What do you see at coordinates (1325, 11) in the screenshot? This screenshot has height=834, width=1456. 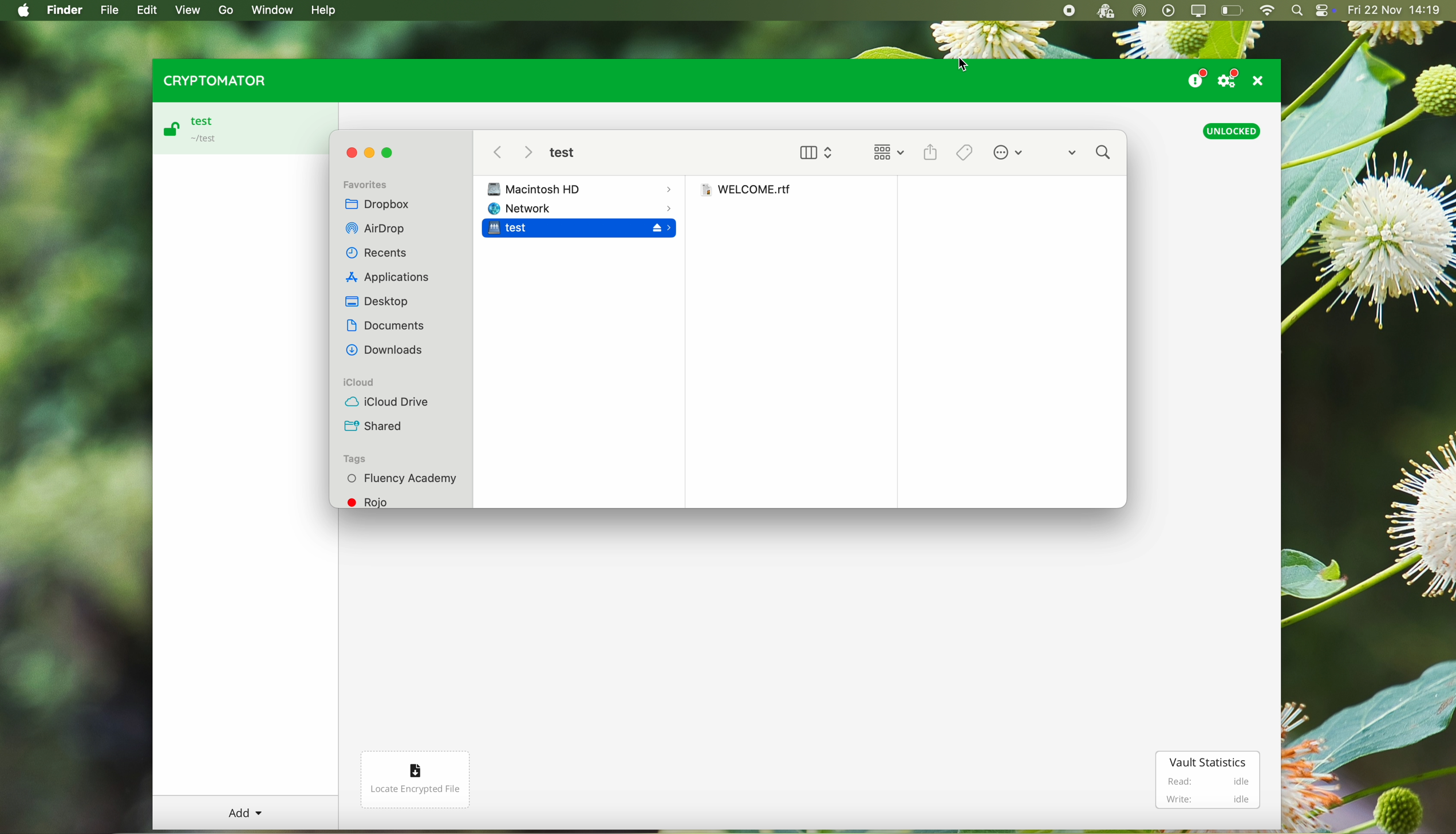 I see `controls` at bounding box center [1325, 11].